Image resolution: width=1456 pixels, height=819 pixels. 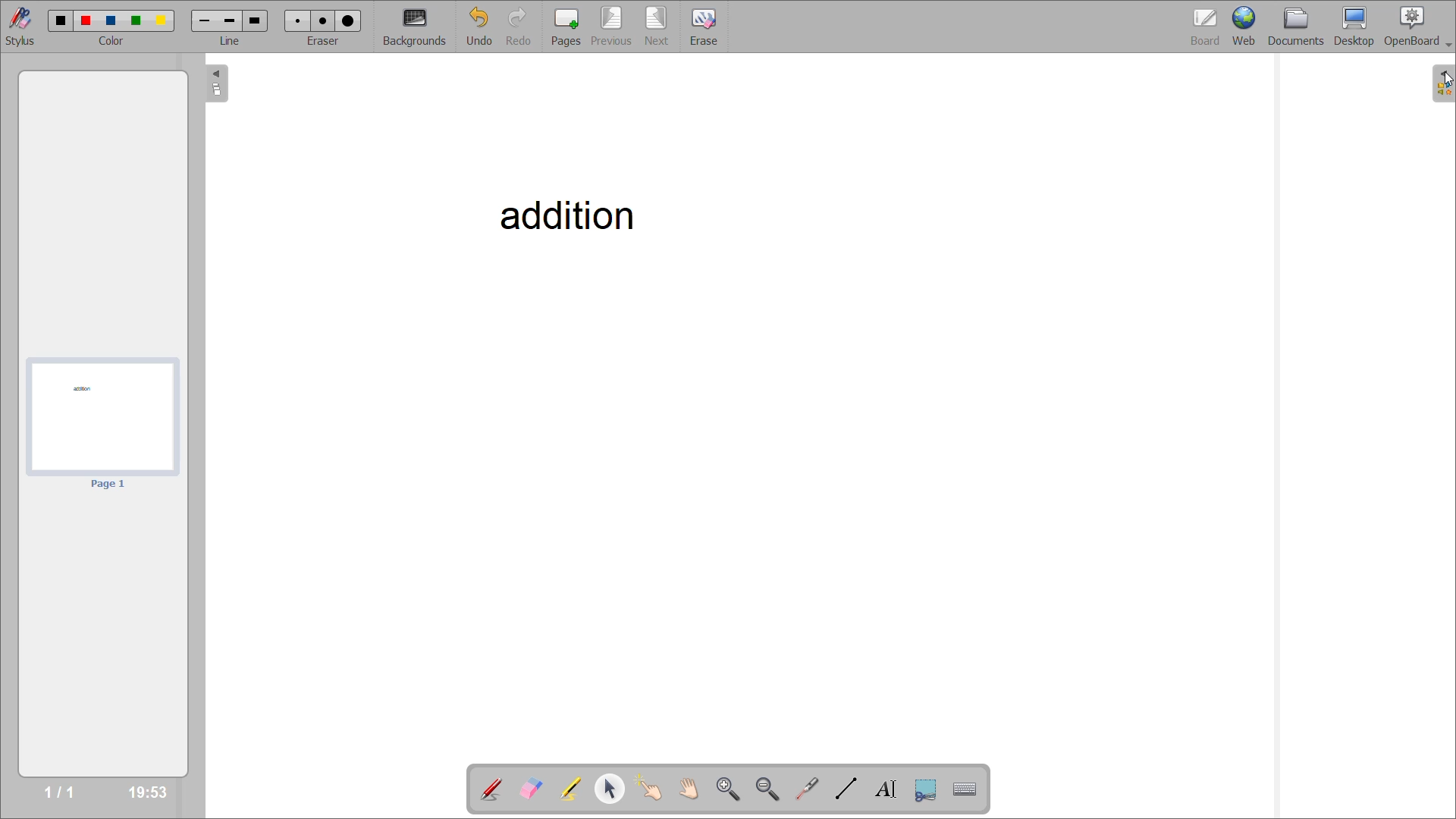 What do you see at coordinates (1420, 27) in the screenshot?
I see `openboard` at bounding box center [1420, 27].